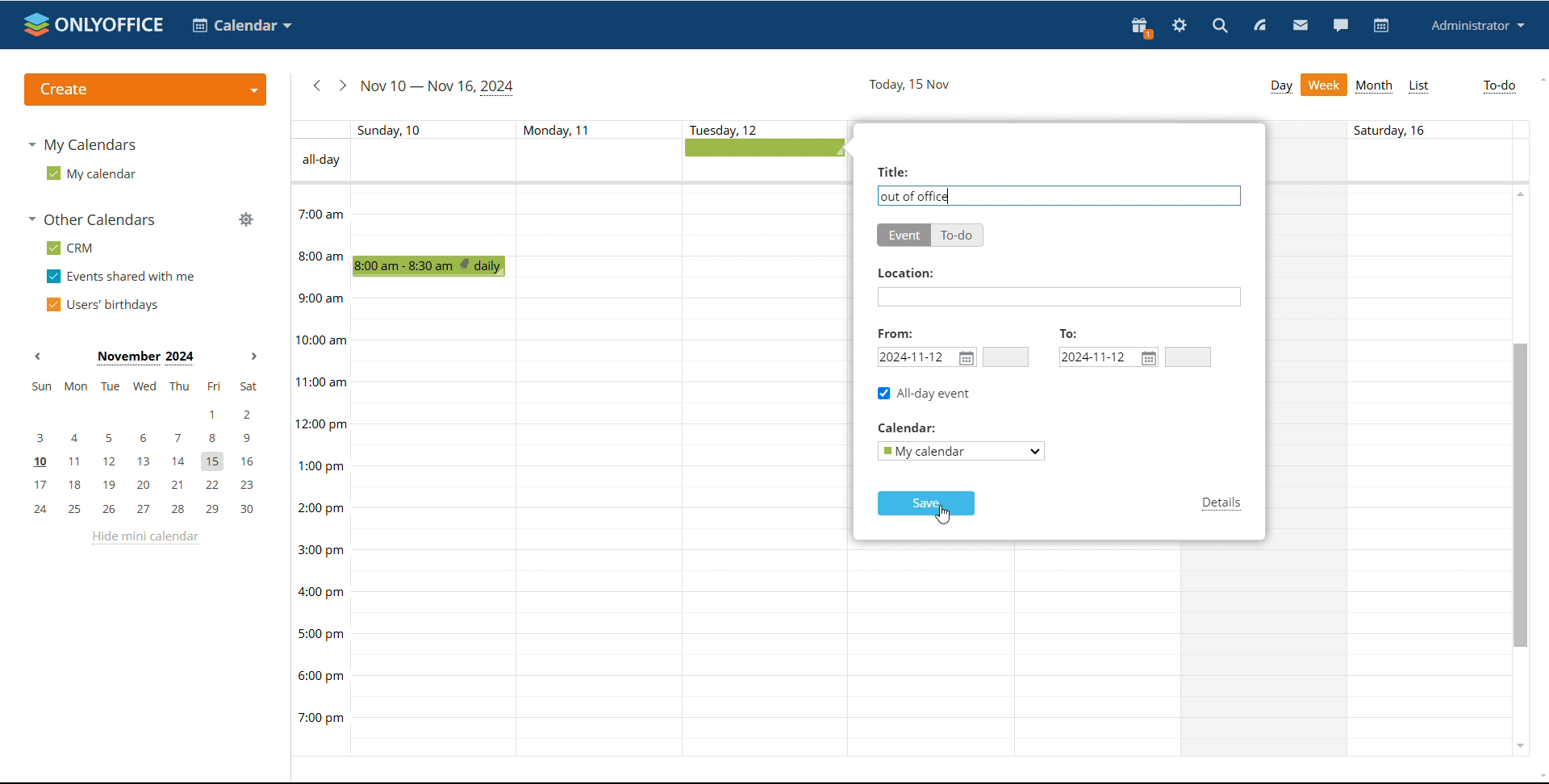 The width and height of the screenshot is (1549, 784). I want to click on start date, so click(928, 357).